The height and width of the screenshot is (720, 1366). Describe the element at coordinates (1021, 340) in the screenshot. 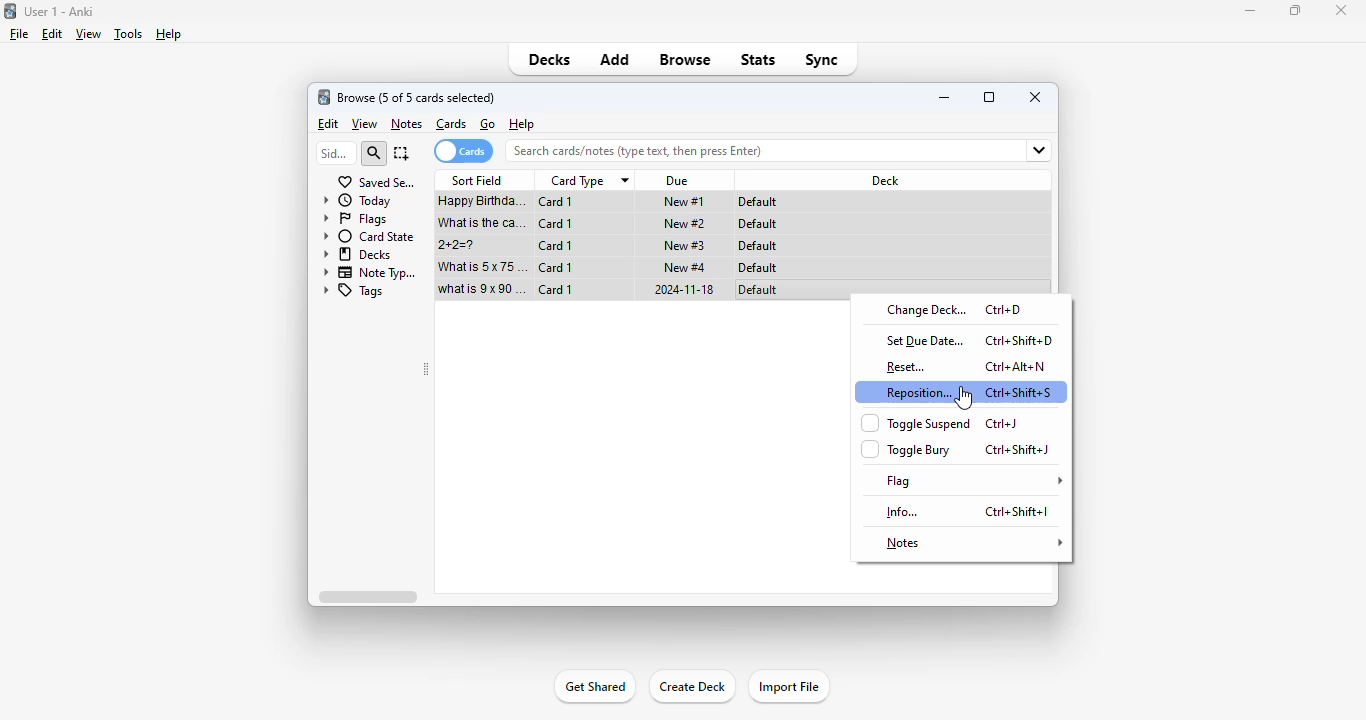

I see `shortcut for set due date` at that location.